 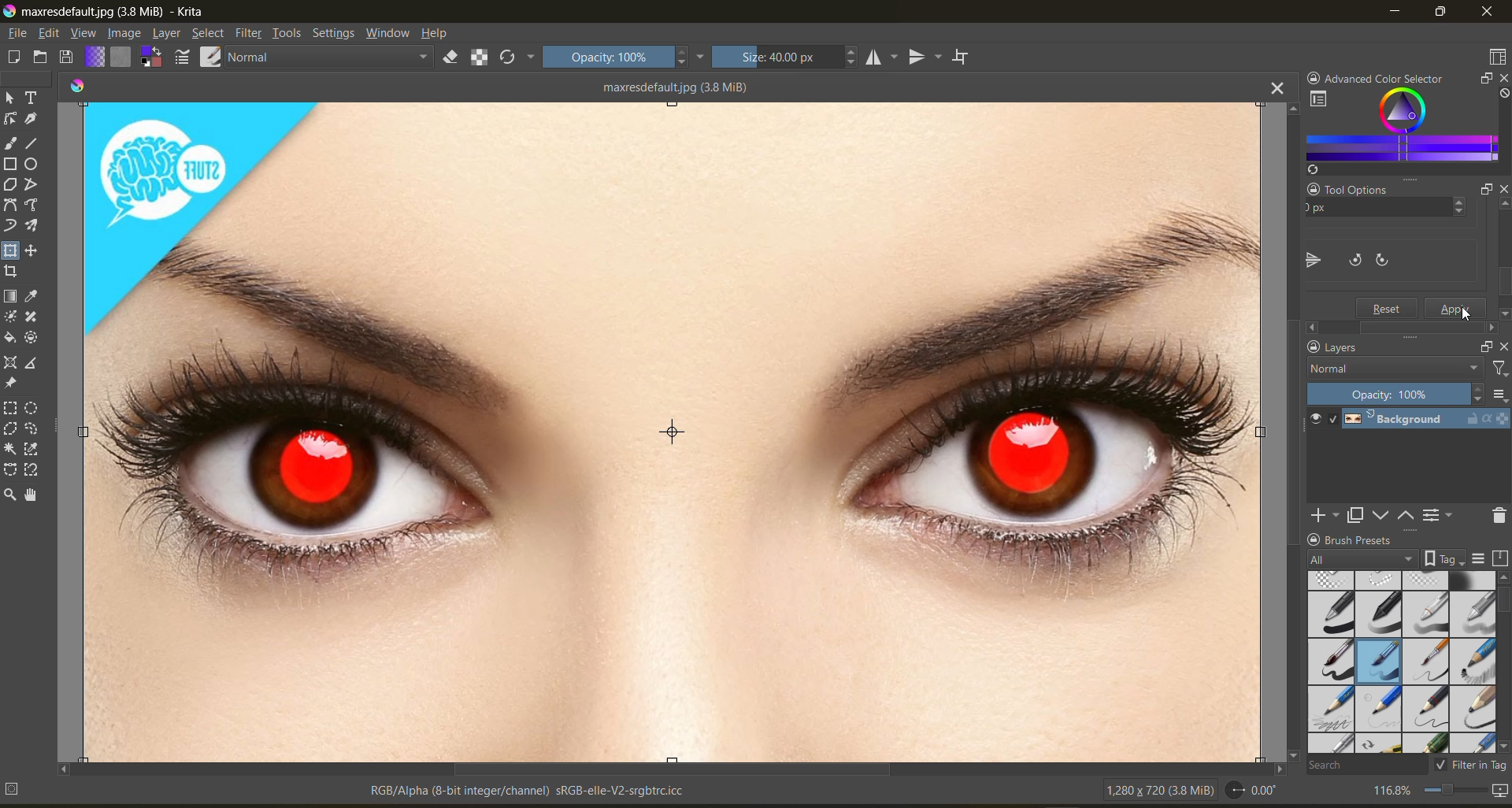 What do you see at coordinates (213, 55) in the screenshot?
I see `choose brush preset` at bounding box center [213, 55].